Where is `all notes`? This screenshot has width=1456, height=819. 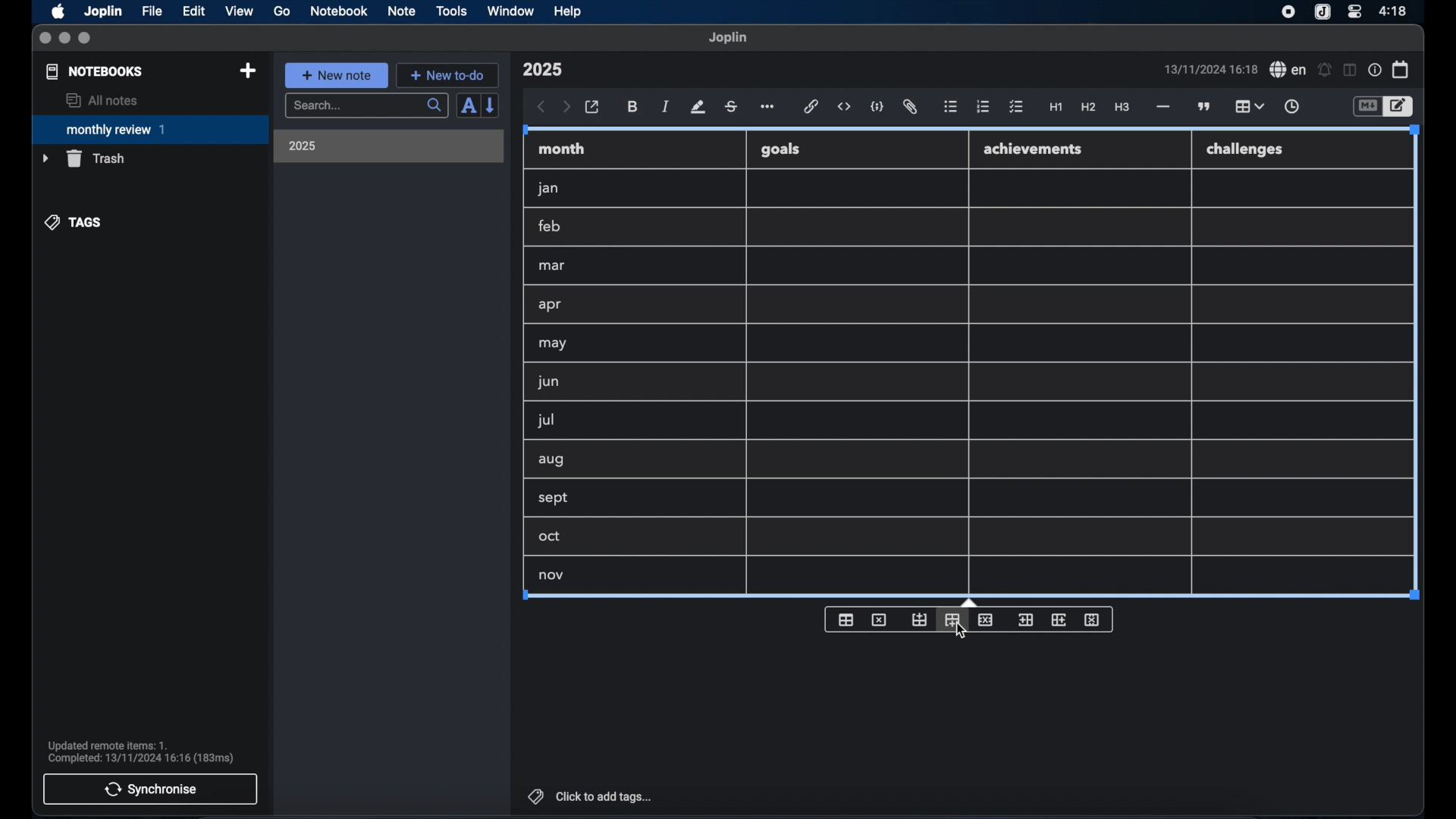 all notes is located at coordinates (102, 100).